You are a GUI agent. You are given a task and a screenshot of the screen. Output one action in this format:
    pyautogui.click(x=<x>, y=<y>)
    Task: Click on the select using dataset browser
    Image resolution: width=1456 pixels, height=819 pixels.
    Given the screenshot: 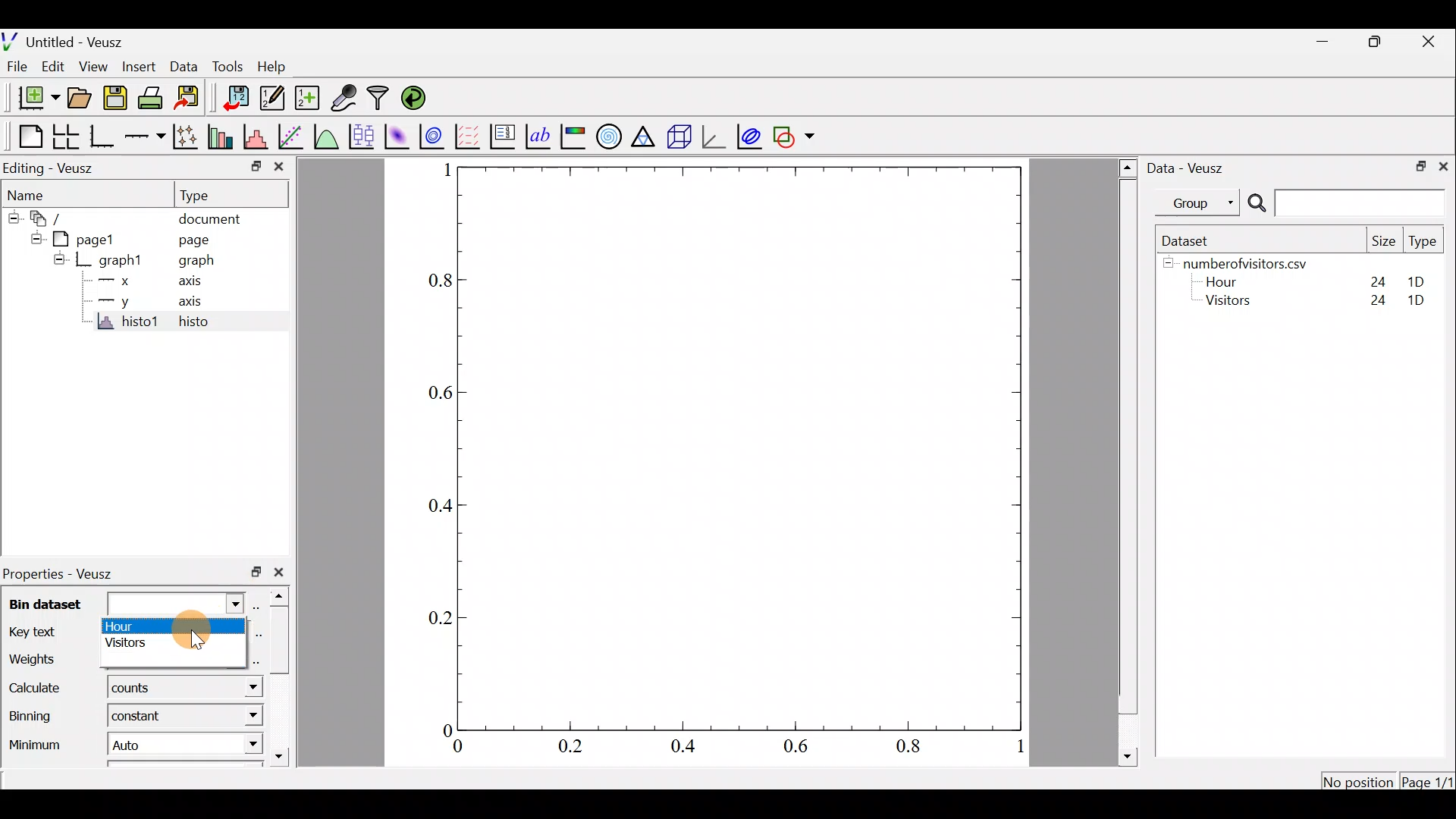 What is the action you would take?
    pyautogui.click(x=259, y=605)
    